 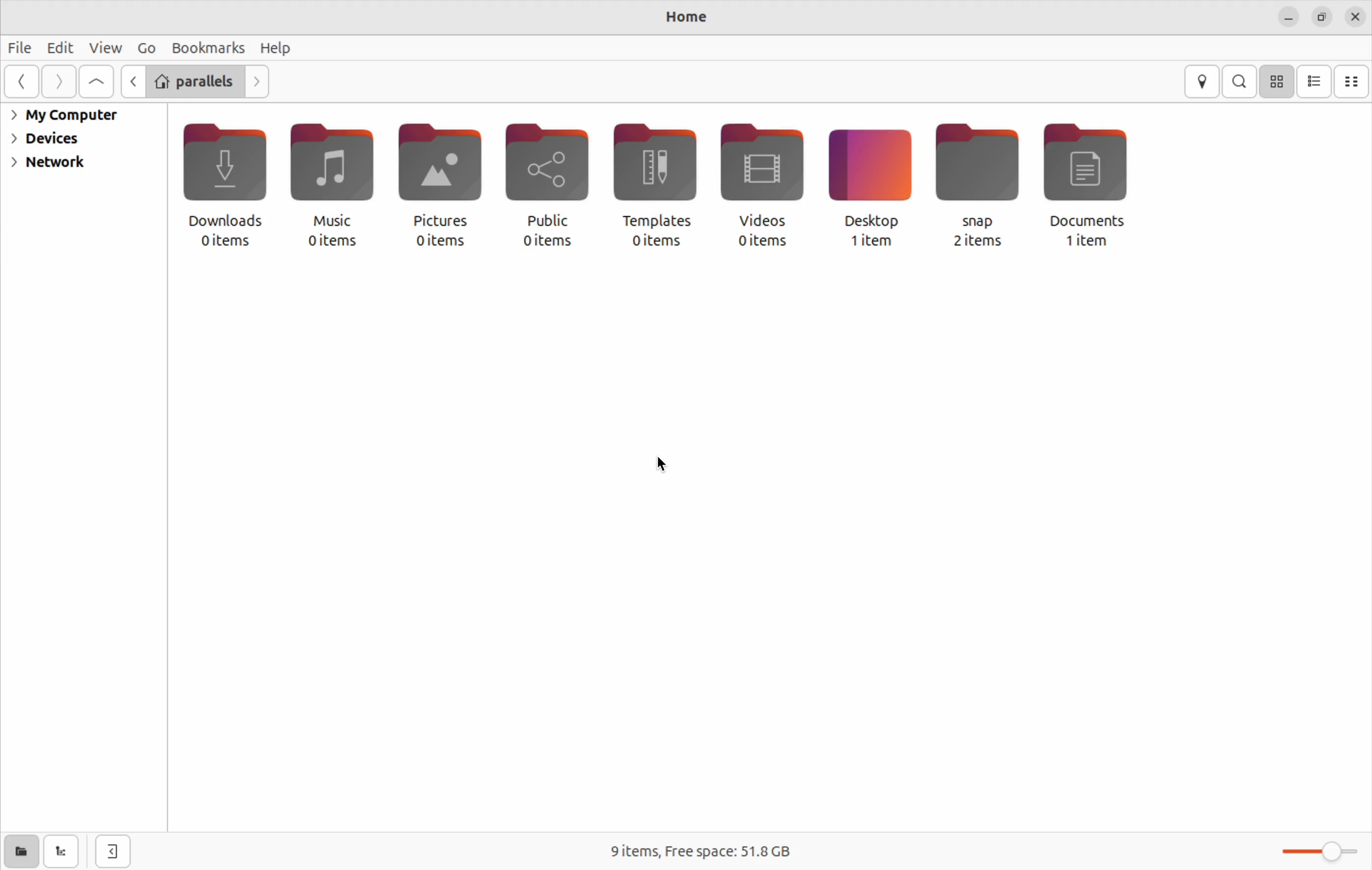 What do you see at coordinates (651, 189) in the screenshot?
I see `templates 0 items` at bounding box center [651, 189].